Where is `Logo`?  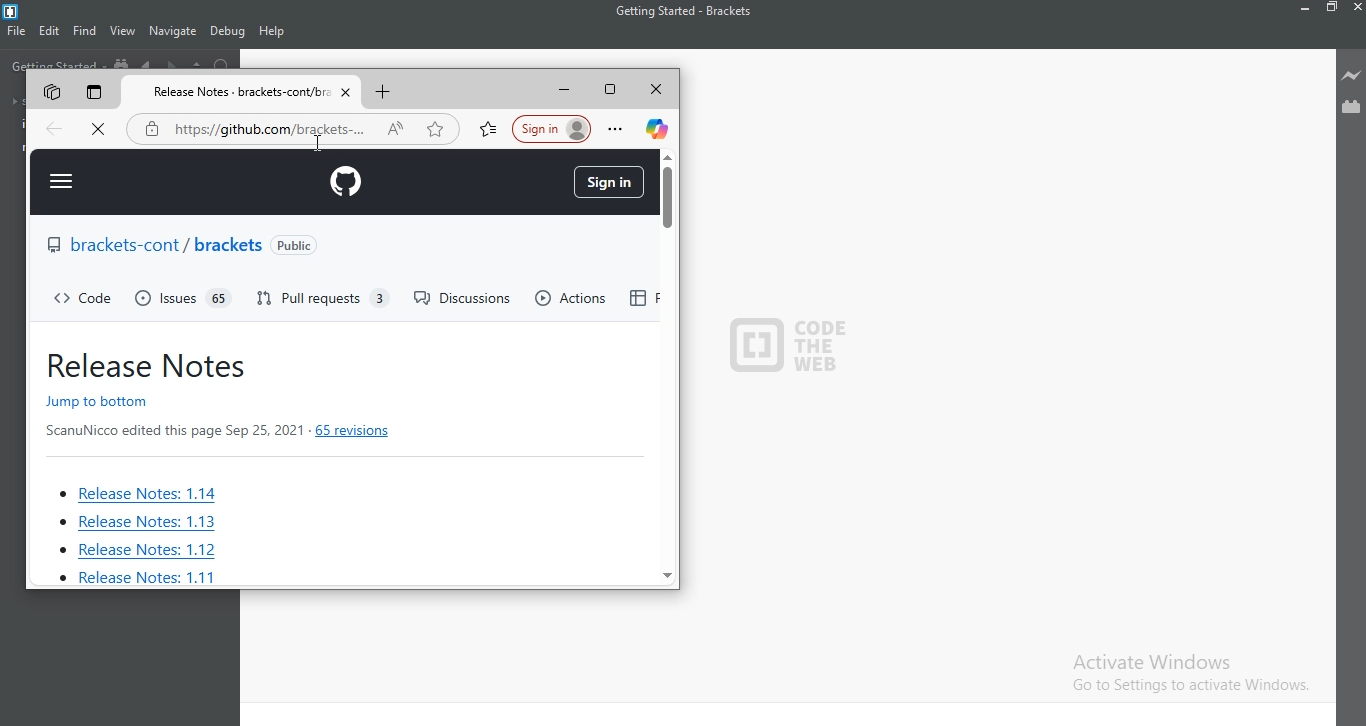
Logo is located at coordinates (15, 12).